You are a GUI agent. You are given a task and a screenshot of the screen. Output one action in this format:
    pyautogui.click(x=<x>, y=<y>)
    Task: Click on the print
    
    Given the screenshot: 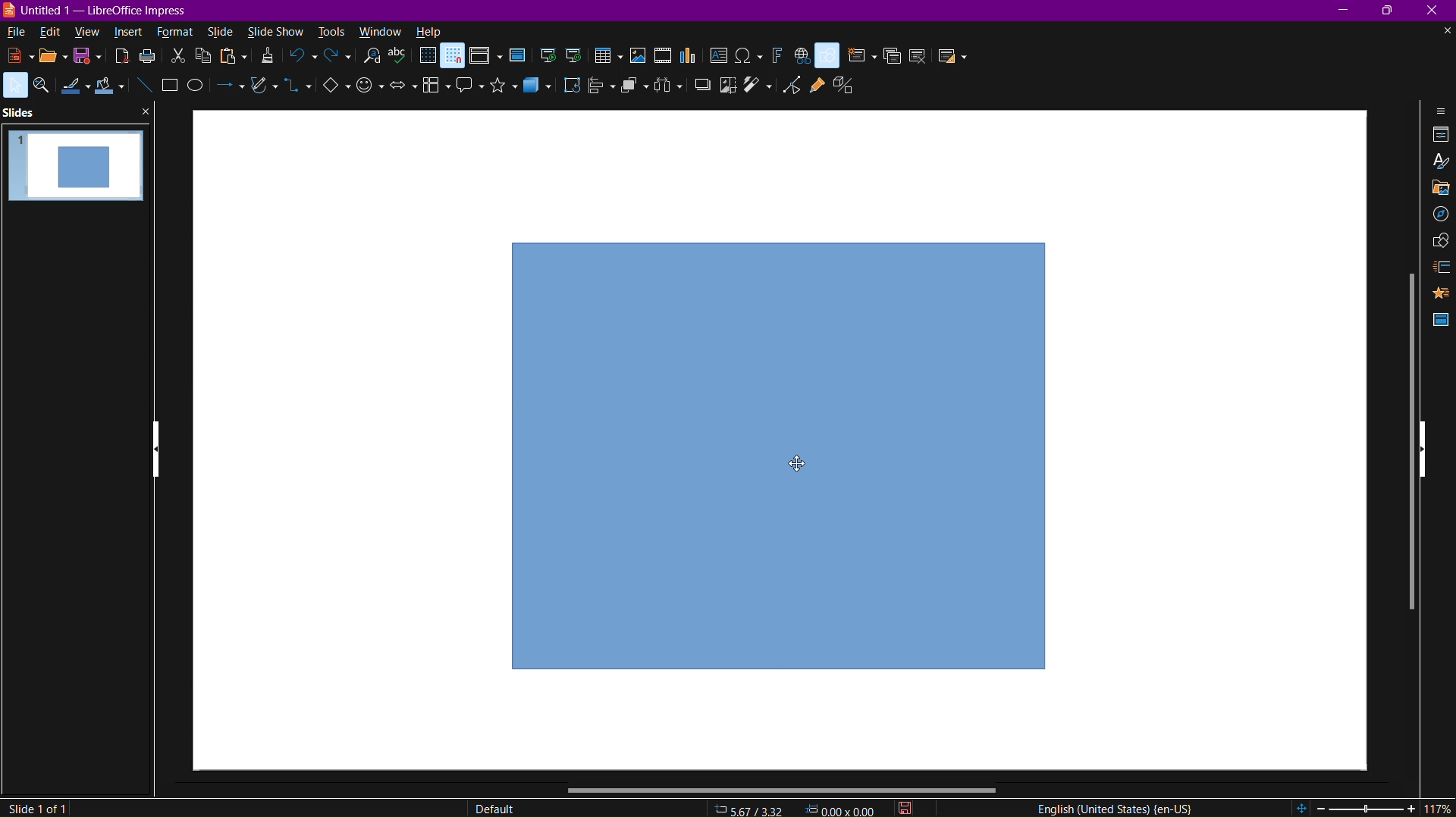 What is the action you would take?
    pyautogui.click(x=151, y=60)
    